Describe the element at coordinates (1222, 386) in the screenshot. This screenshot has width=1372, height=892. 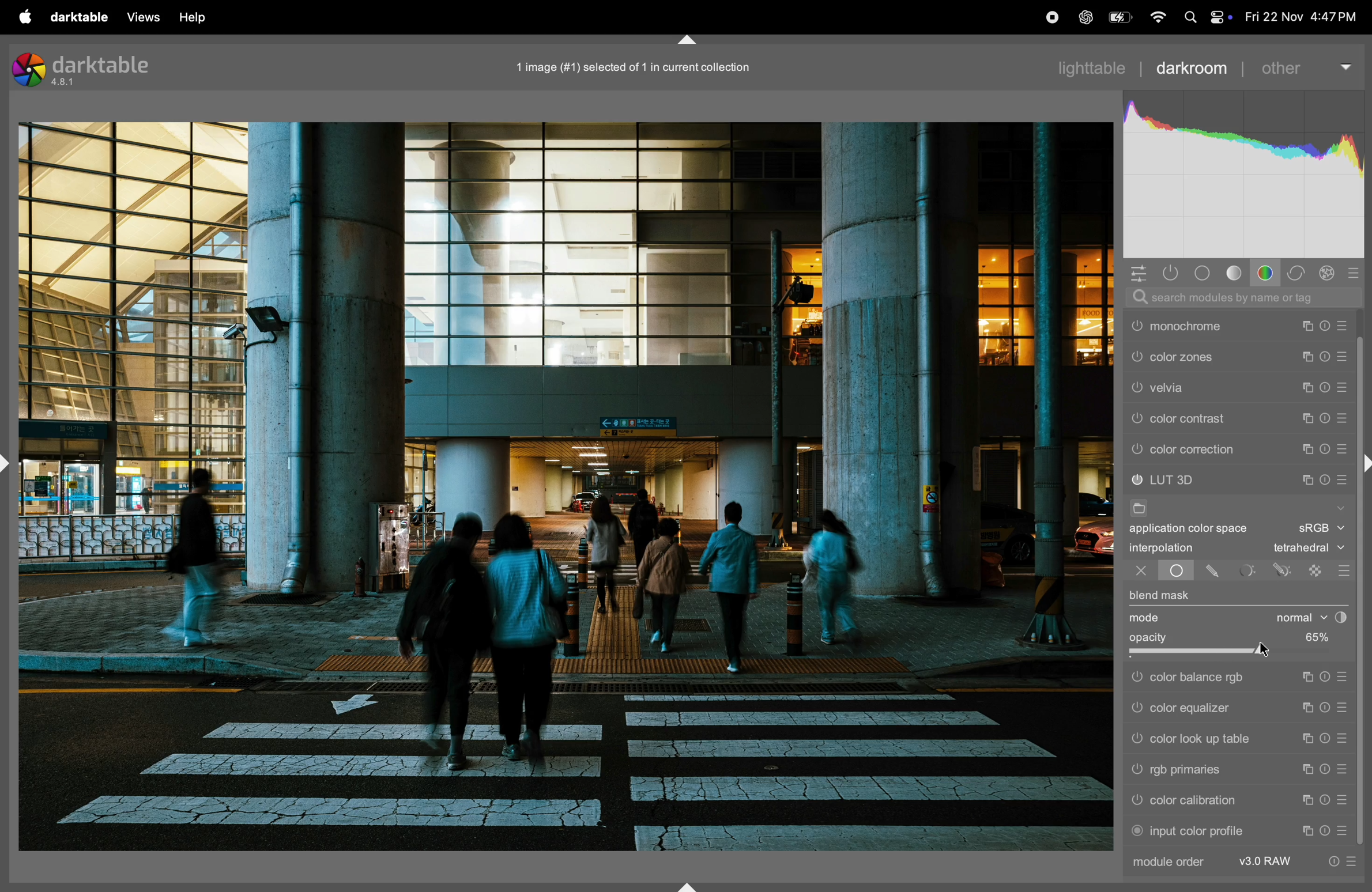
I see `color zones` at that location.